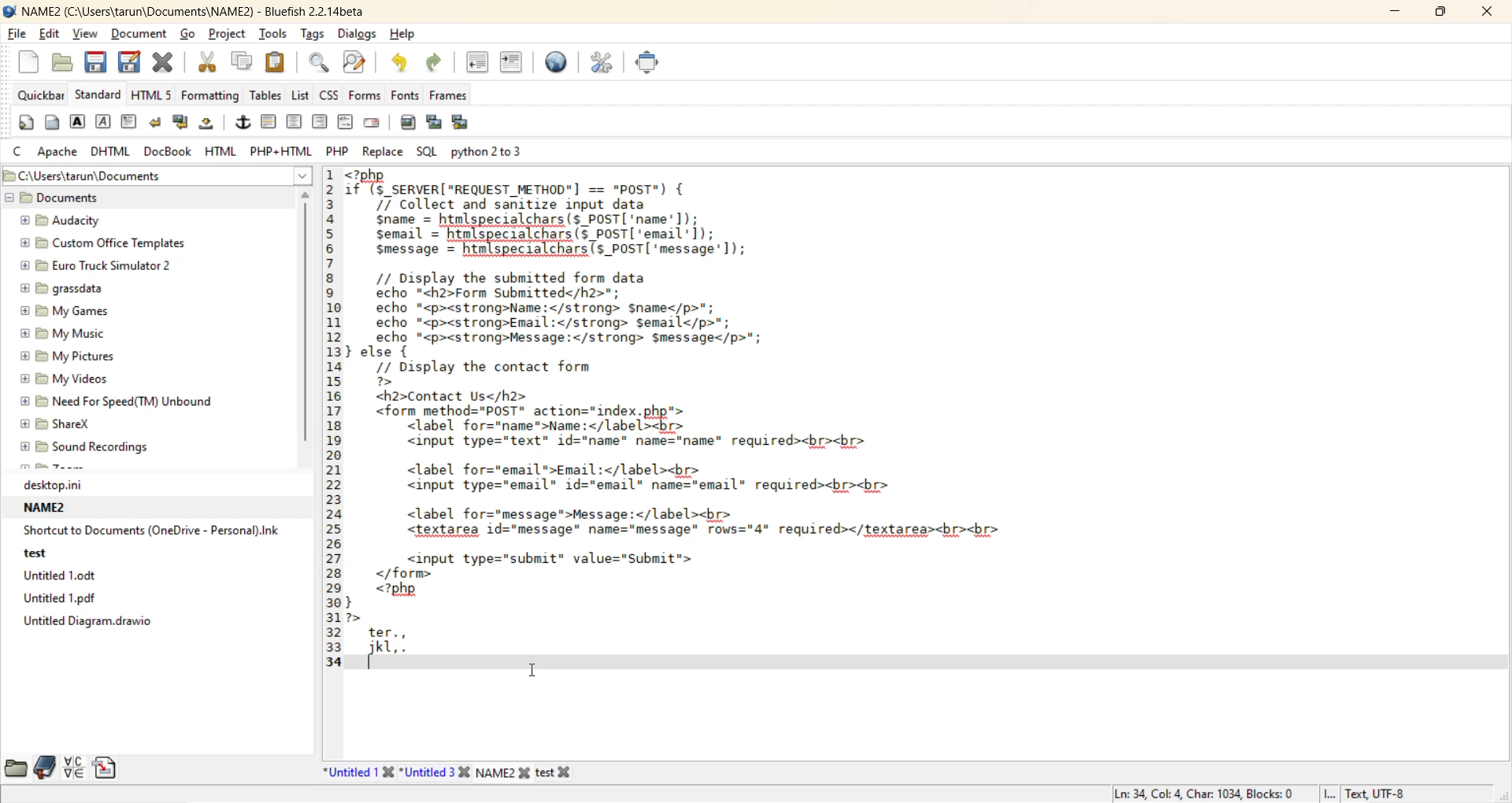 Image resolution: width=1512 pixels, height=803 pixels. I want to click on close, so click(1481, 12).